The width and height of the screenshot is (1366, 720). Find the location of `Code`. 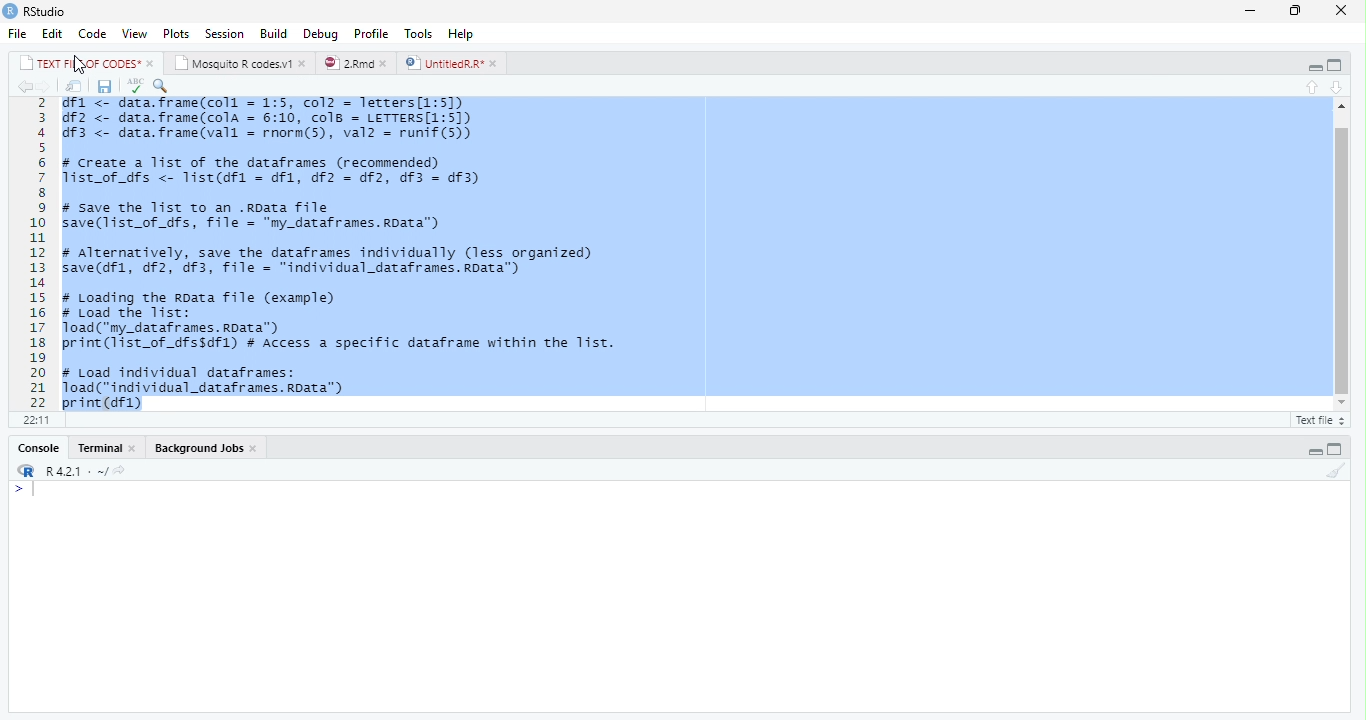

Code is located at coordinates (93, 34).